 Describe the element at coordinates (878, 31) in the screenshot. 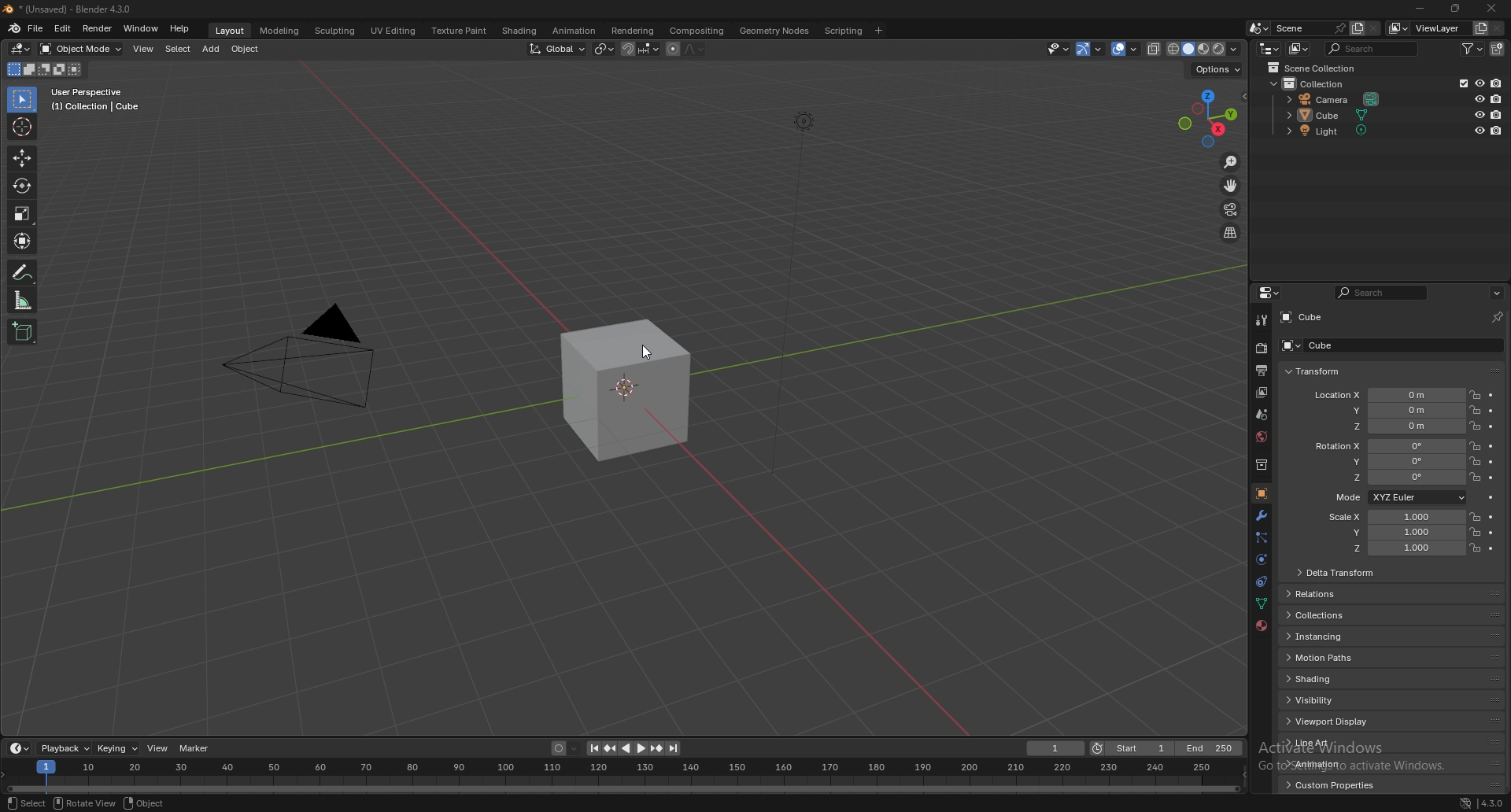

I see `add workspace` at that location.